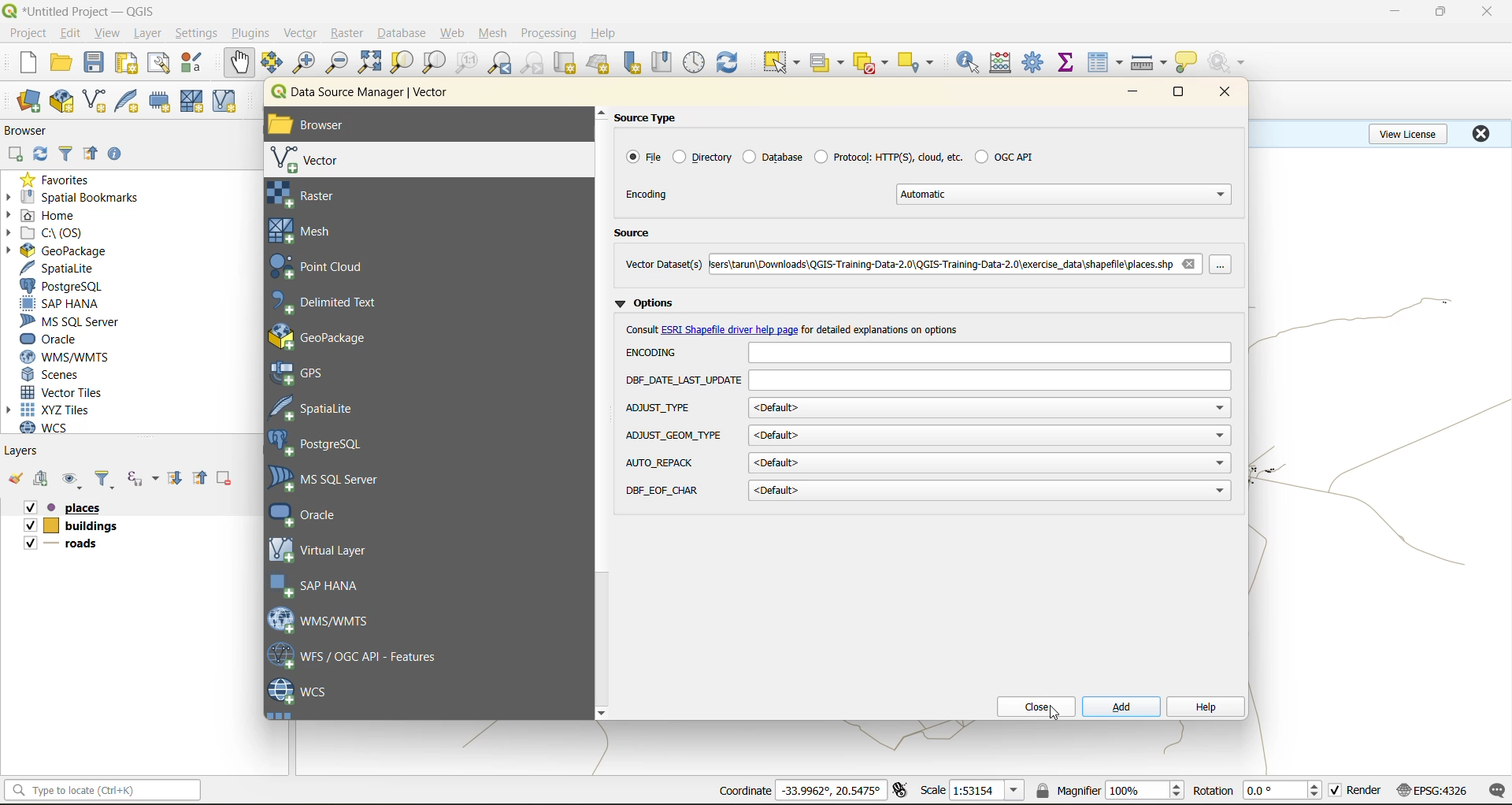 The height and width of the screenshot is (805, 1512). I want to click on close, so click(1488, 12).